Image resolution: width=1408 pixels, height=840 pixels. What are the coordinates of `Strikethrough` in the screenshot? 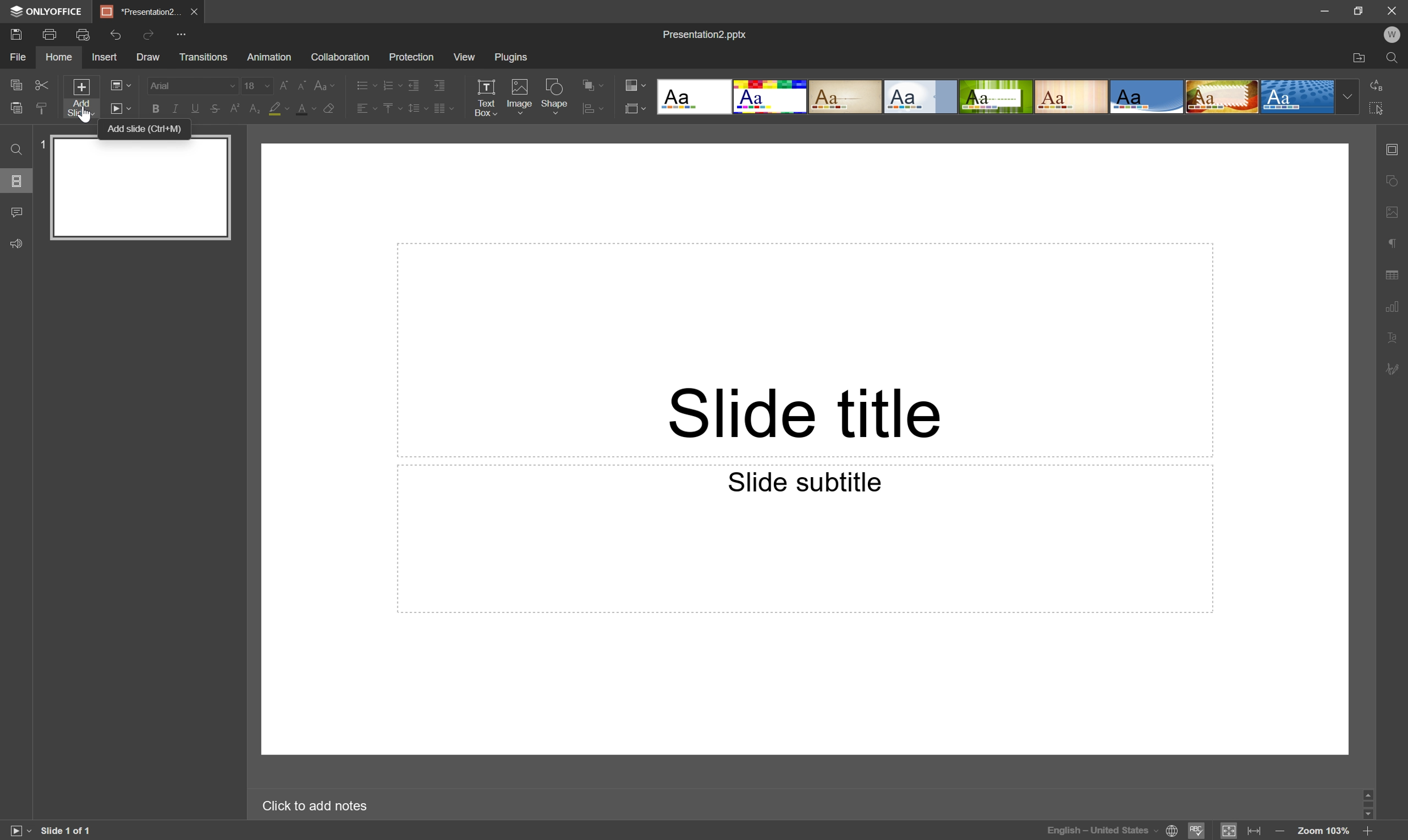 It's located at (213, 109).